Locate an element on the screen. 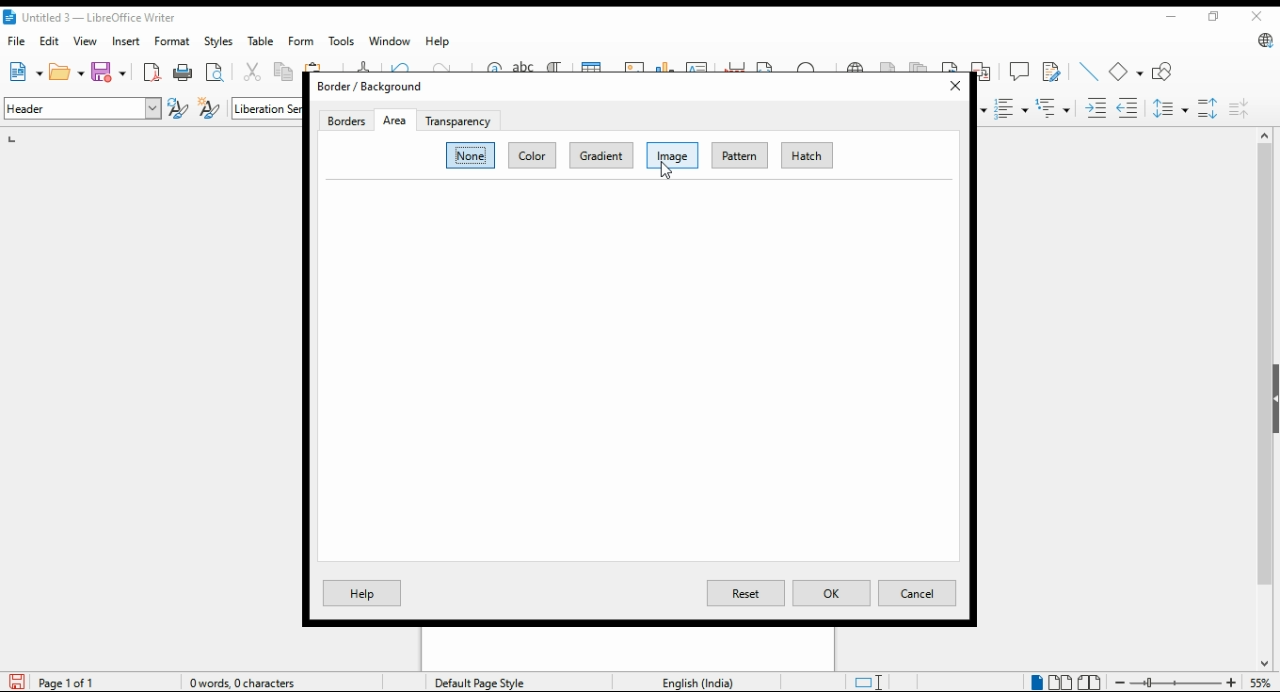  multipage view is located at coordinates (1062, 683).